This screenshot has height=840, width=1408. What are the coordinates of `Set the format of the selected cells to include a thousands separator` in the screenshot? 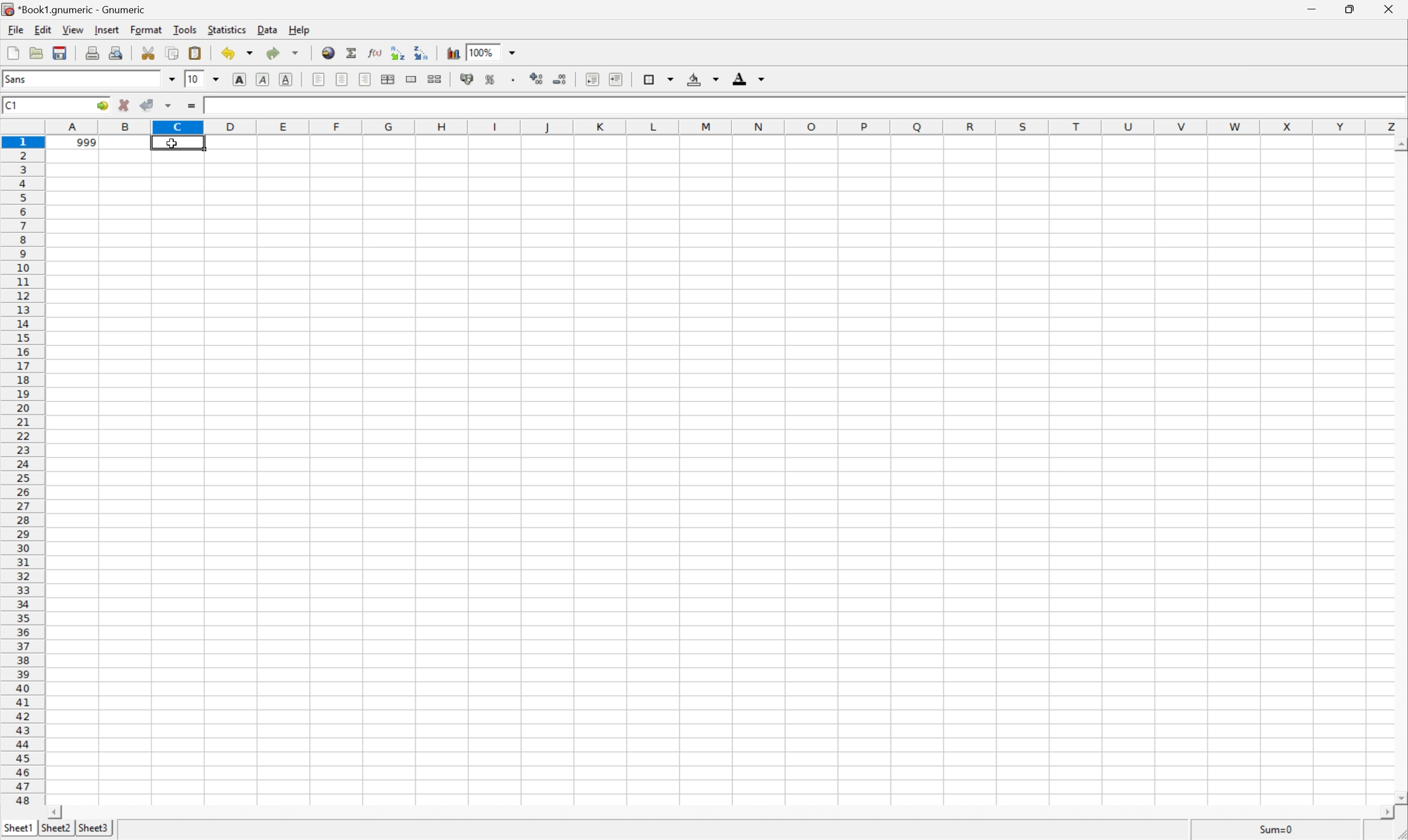 It's located at (514, 79).